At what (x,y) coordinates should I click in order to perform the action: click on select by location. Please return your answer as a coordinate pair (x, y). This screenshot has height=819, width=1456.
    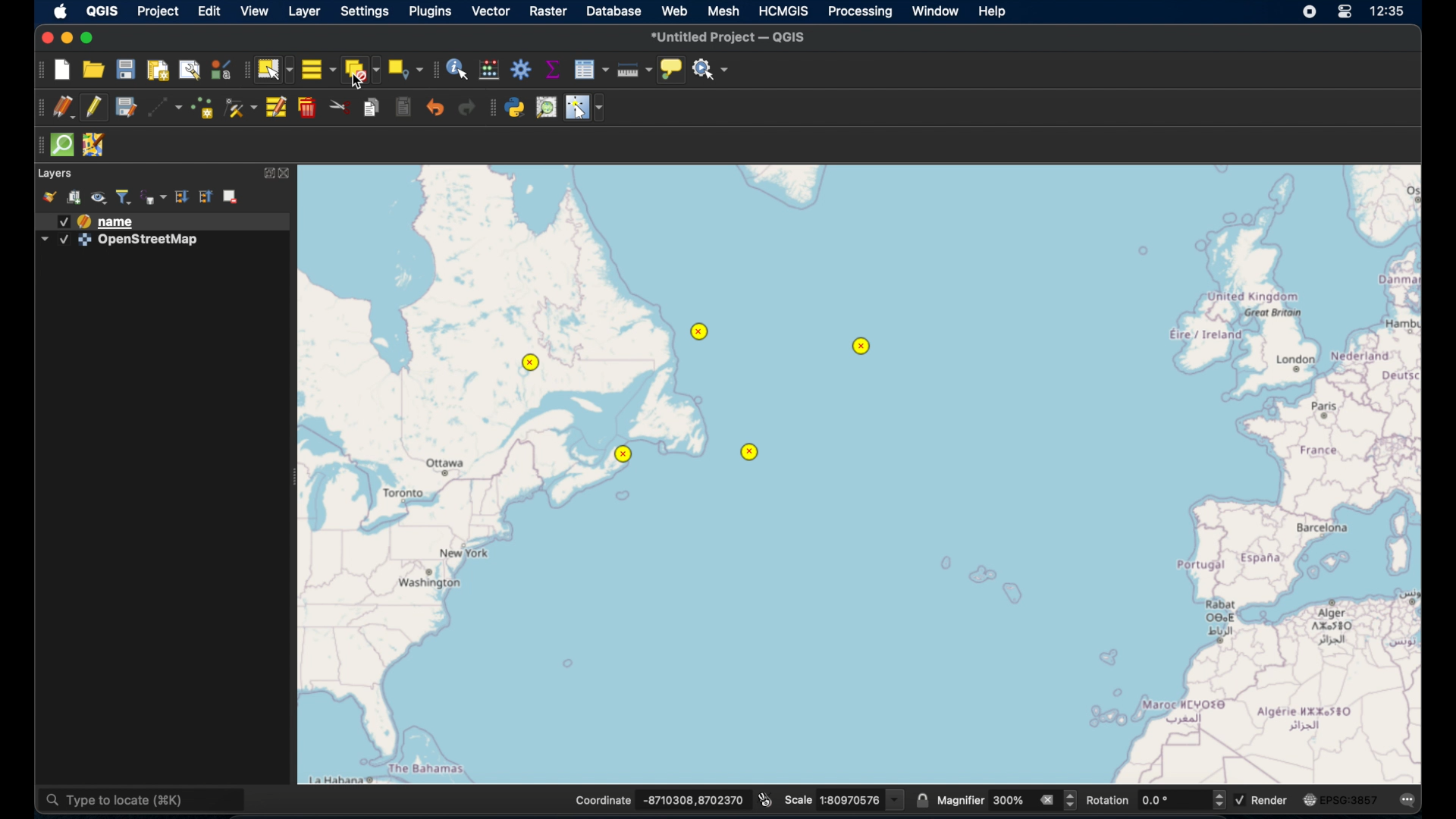
    Looking at the image, I should click on (405, 67).